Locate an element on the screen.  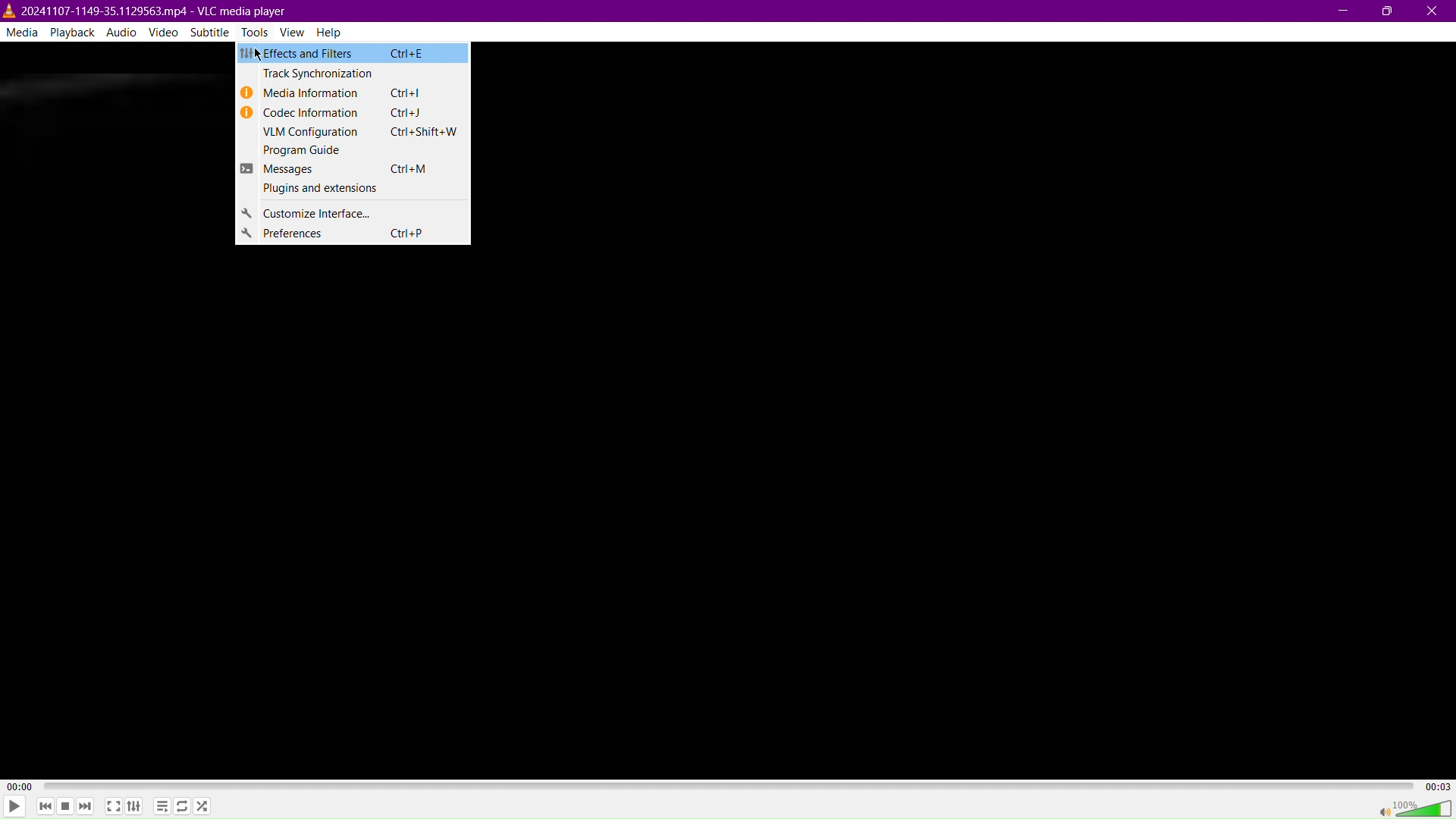
TImeline is located at coordinates (730, 784).